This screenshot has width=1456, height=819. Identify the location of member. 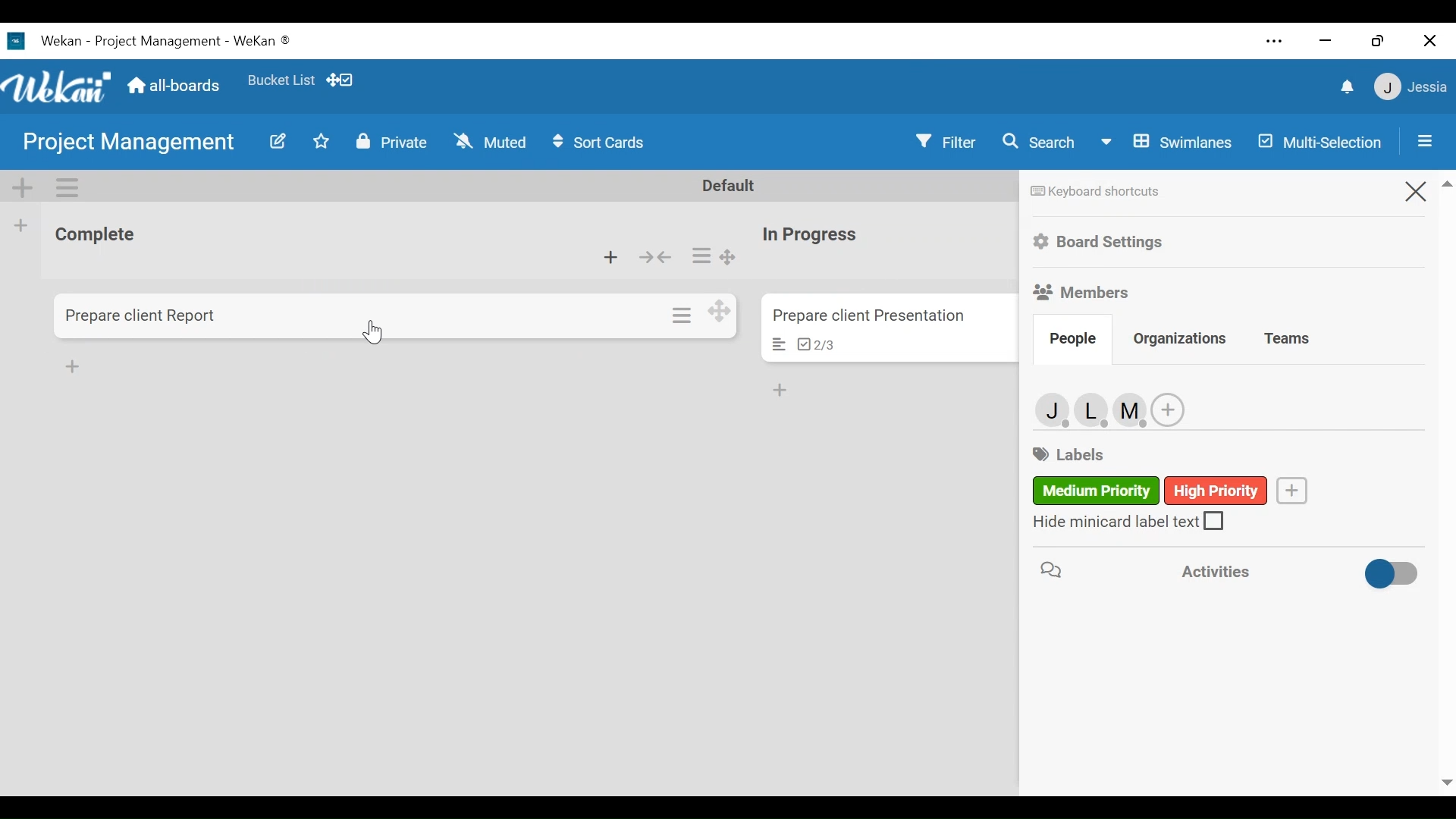
(1096, 409).